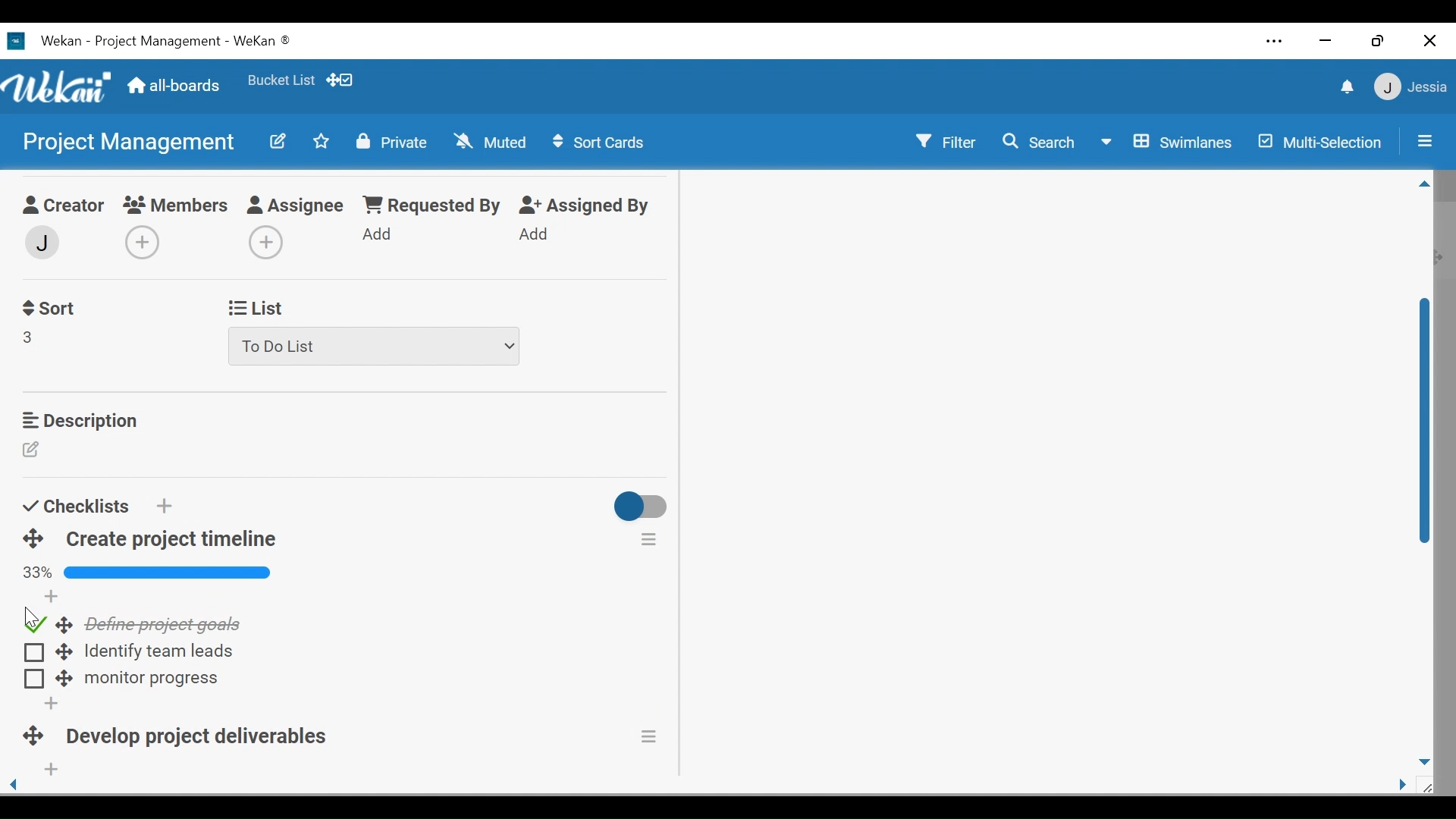 Image resolution: width=1456 pixels, height=819 pixels. I want to click on notifications, so click(1345, 86).